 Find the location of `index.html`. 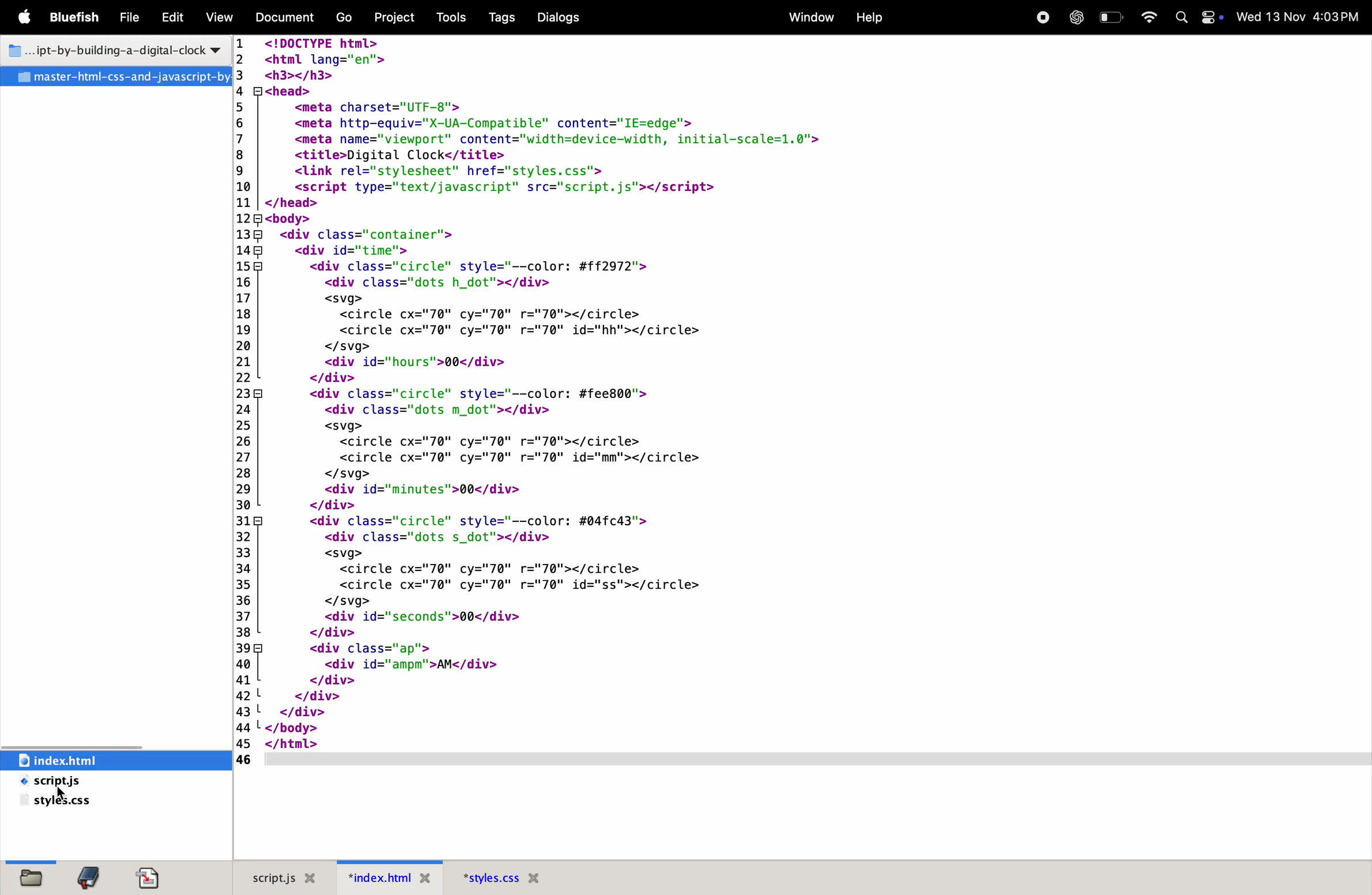

index.html is located at coordinates (107, 760).